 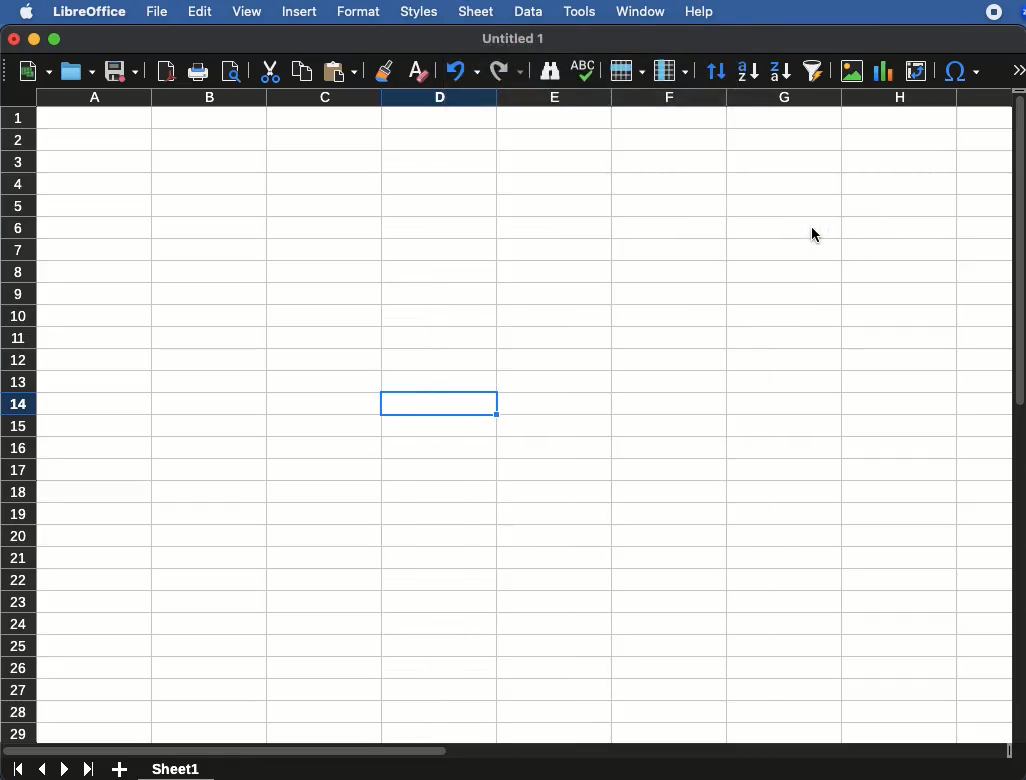 I want to click on help, so click(x=700, y=12).